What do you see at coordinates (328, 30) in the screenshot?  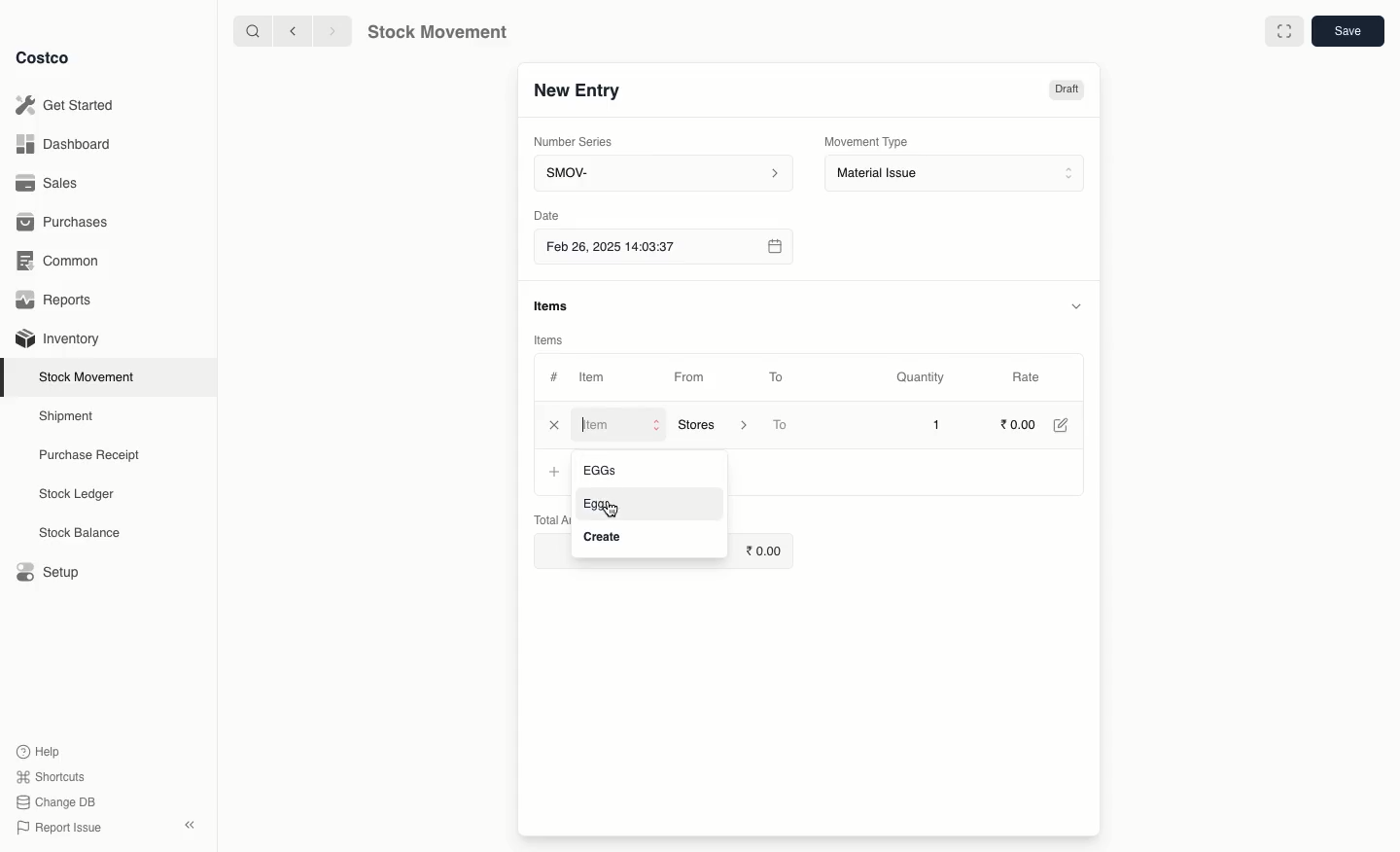 I see `forward` at bounding box center [328, 30].